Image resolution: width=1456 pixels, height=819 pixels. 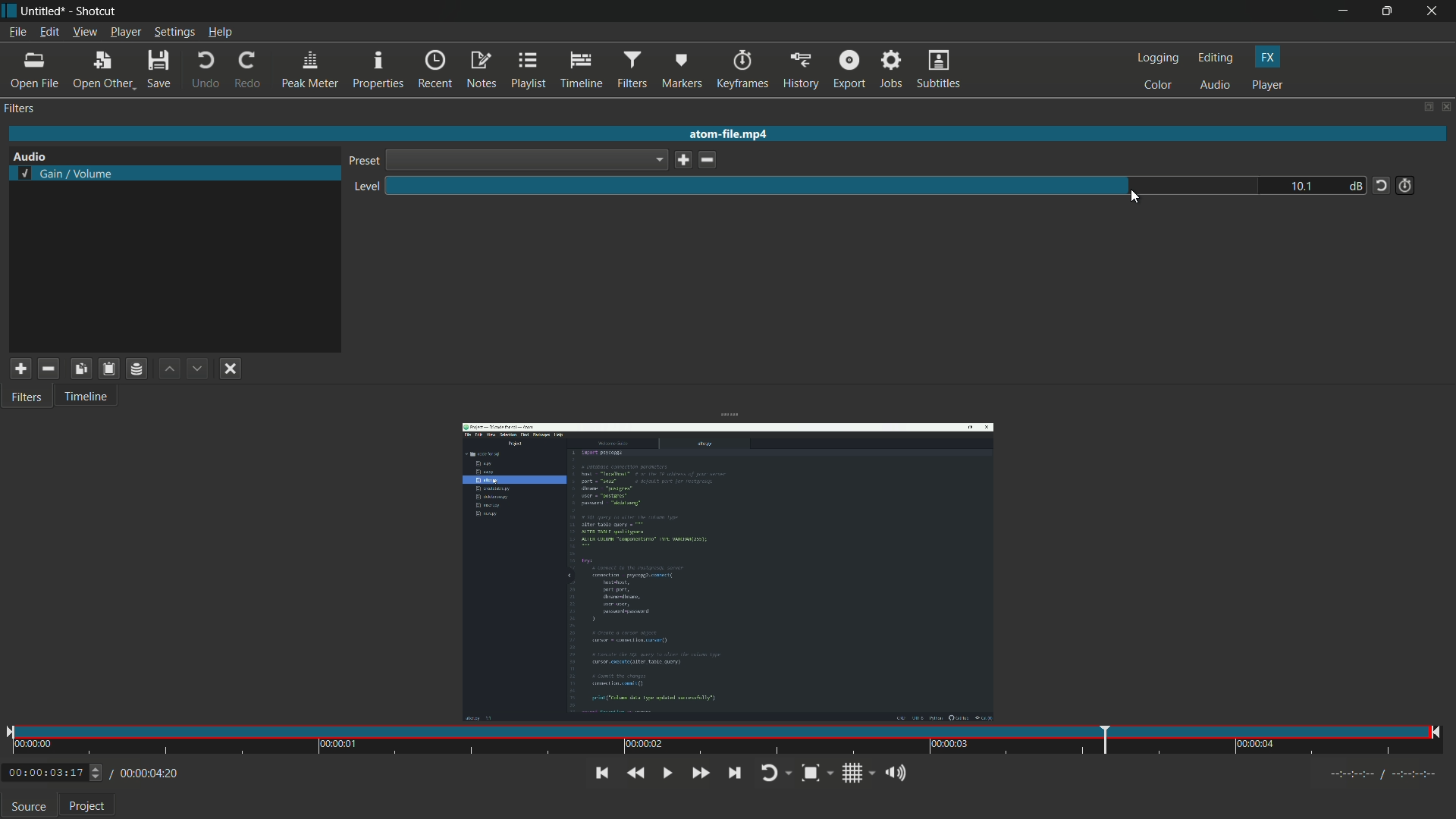 I want to click on preset, so click(x=362, y=162).